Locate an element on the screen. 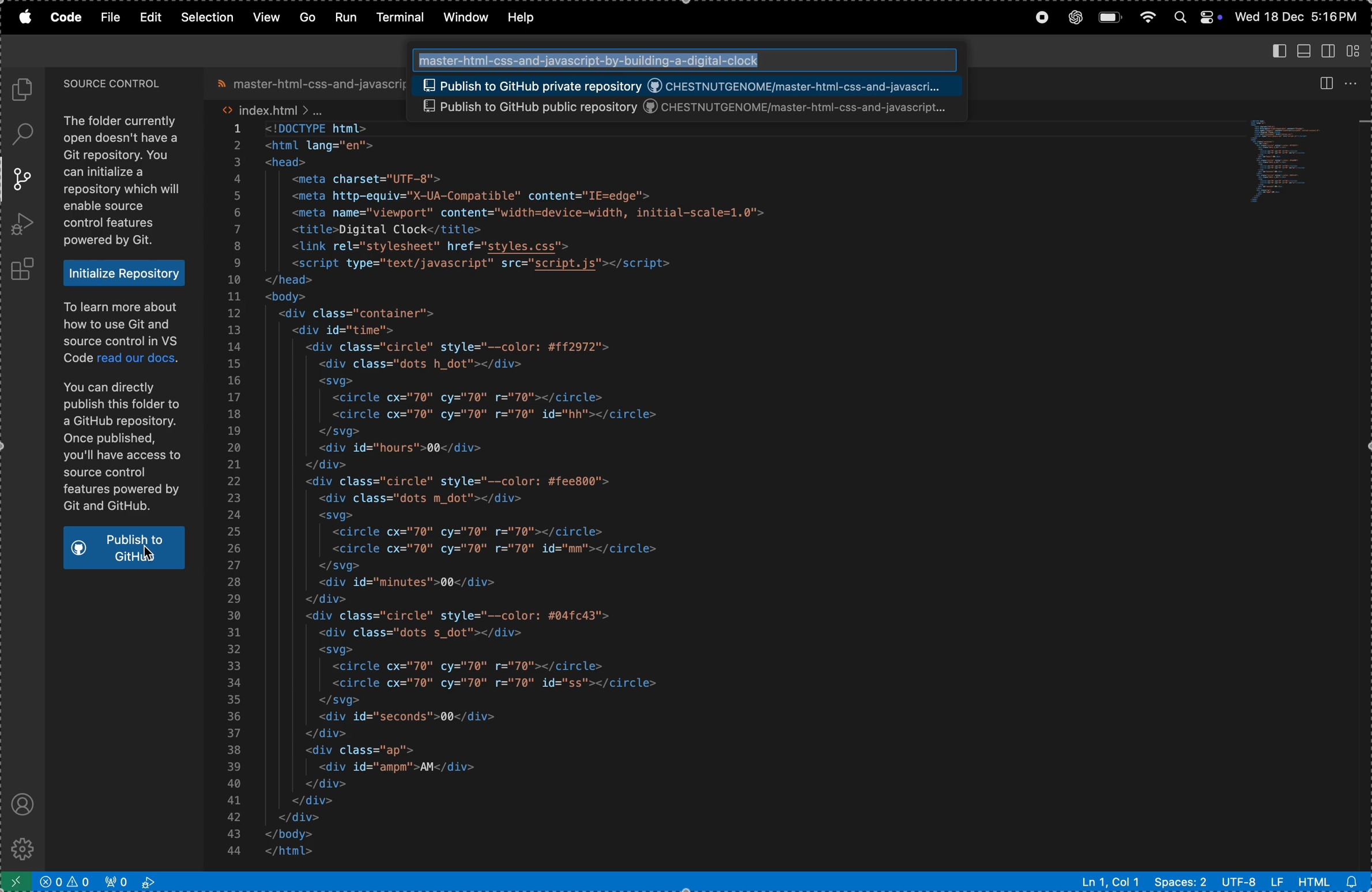 The image size is (1372, 892). code is located at coordinates (68, 18).